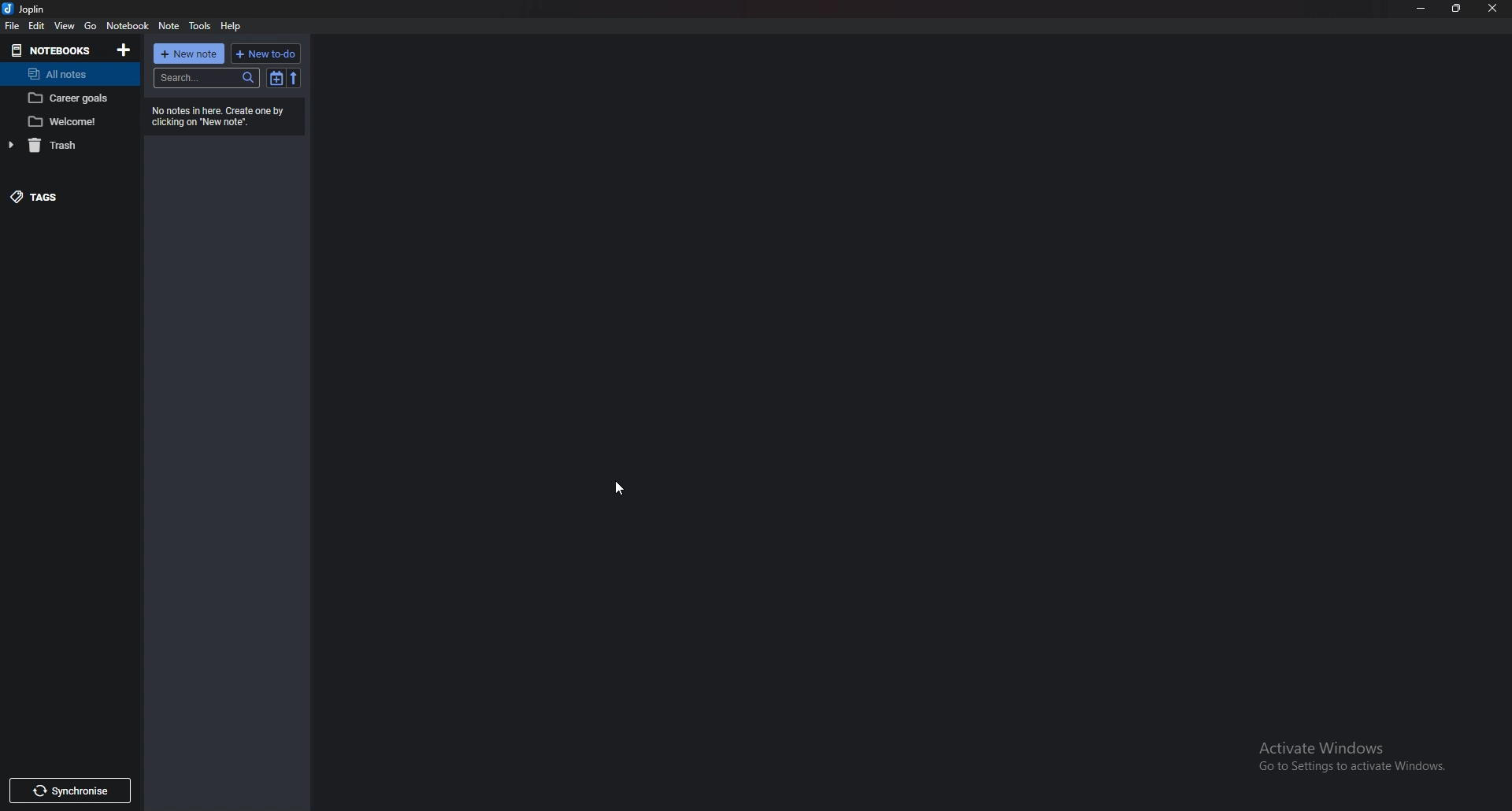  Describe the element at coordinates (1420, 7) in the screenshot. I see `minimize` at that location.